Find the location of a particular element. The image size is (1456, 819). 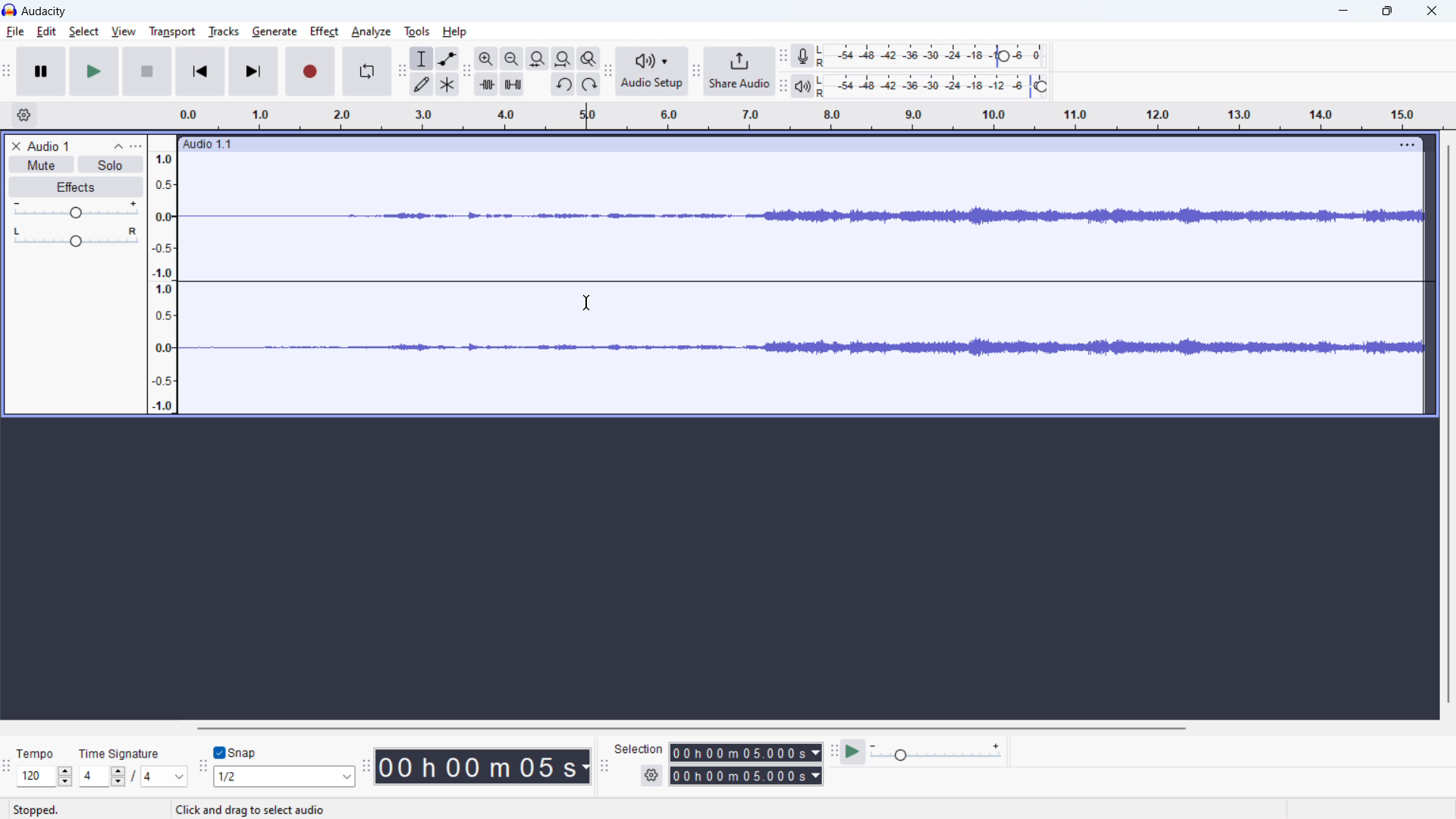

timestamp is located at coordinates (487, 764).